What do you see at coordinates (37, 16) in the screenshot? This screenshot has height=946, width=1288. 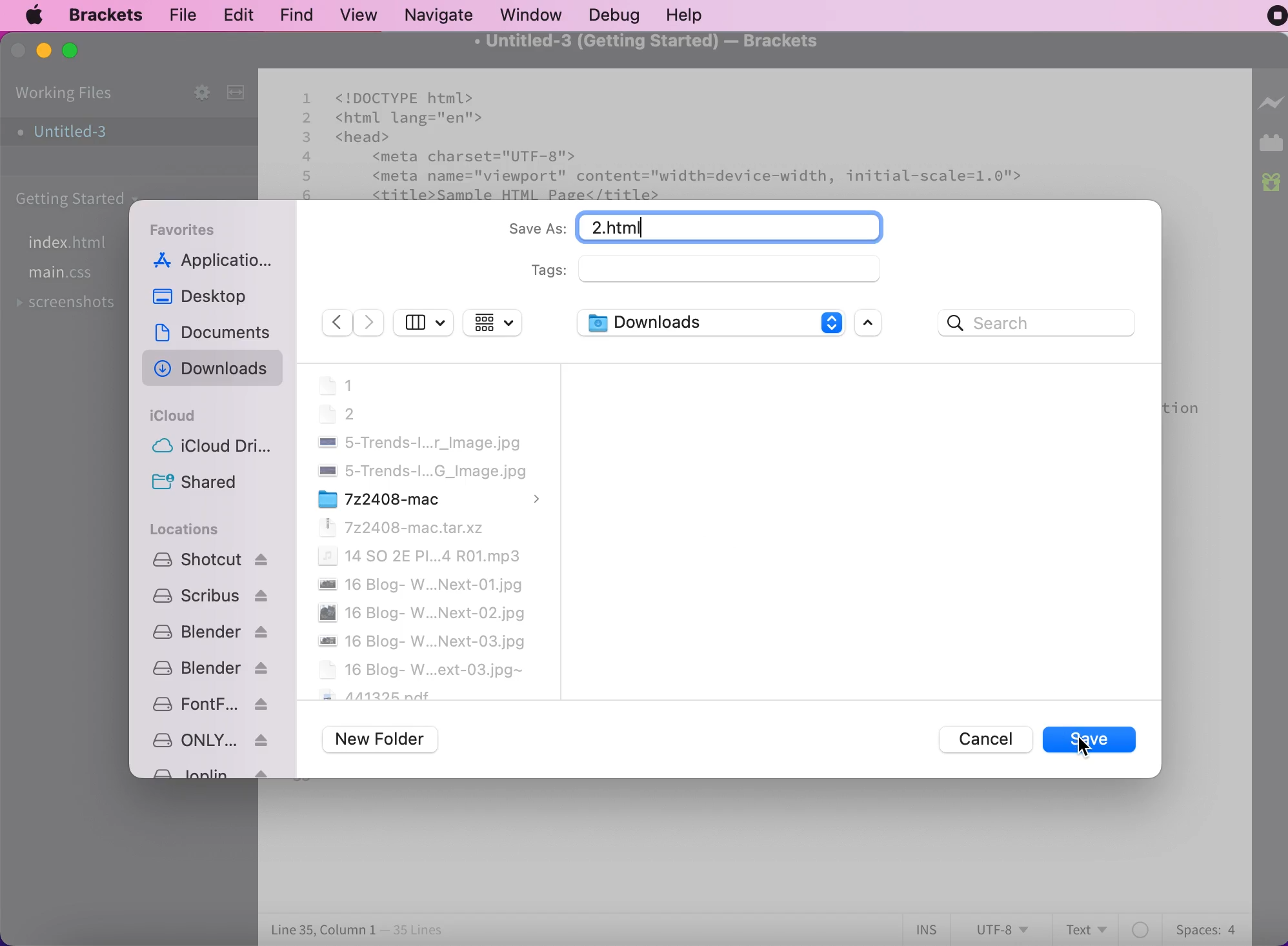 I see `mac logo` at bounding box center [37, 16].